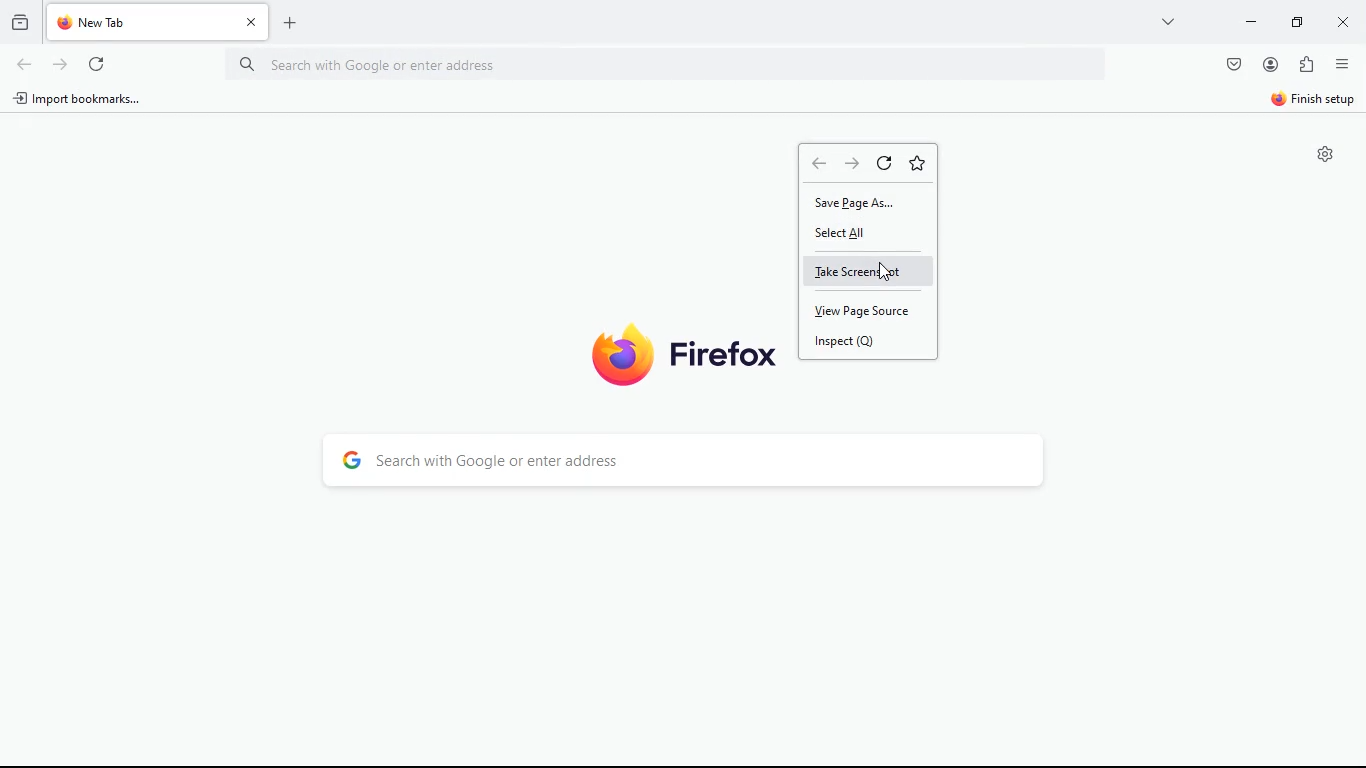  What do you see at coordinates (692, 461) in the screenshot?
I see `search bar` at bounding box center [692, 461].